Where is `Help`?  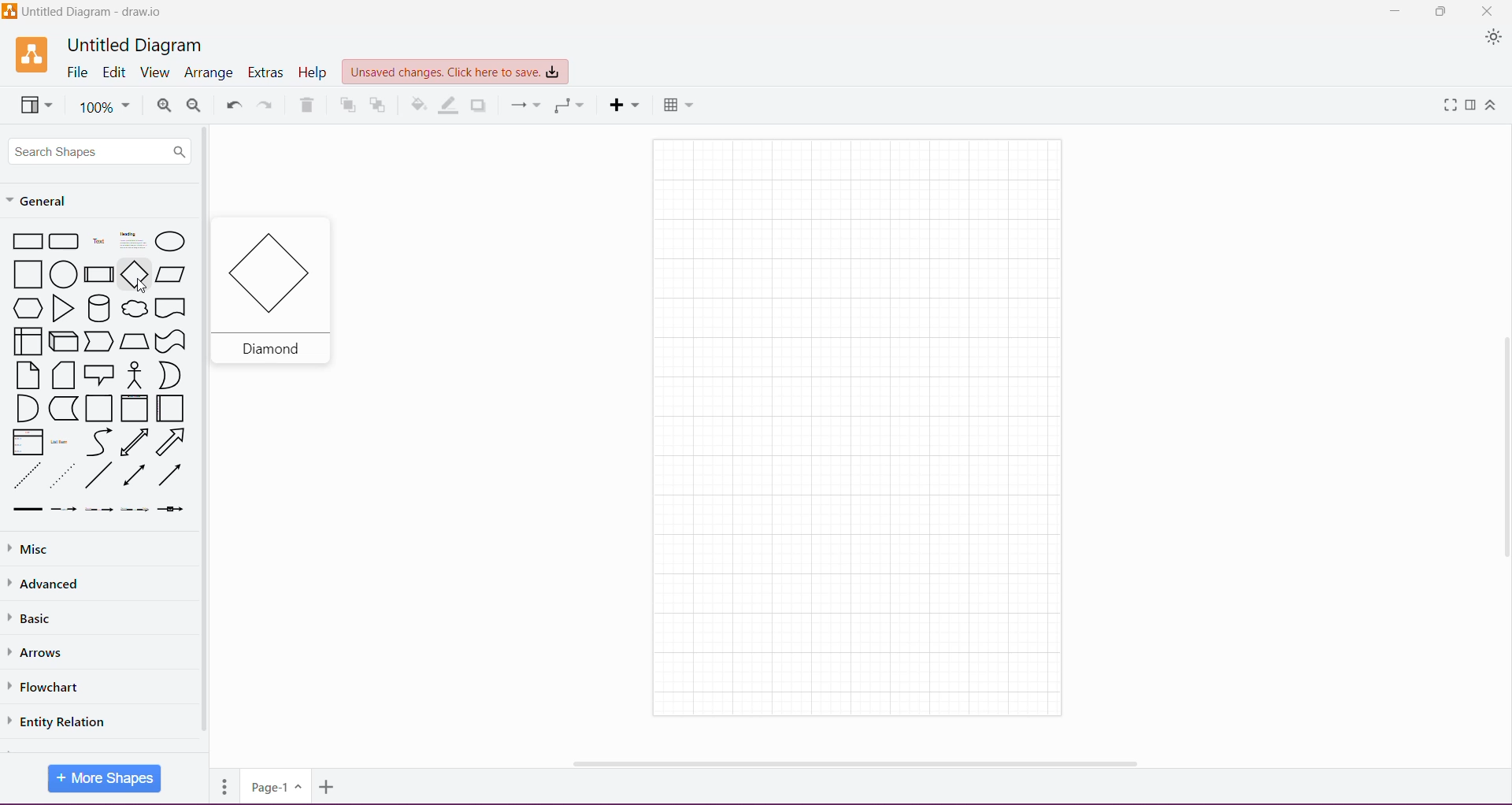
Help is located at coordinates (313, 73).